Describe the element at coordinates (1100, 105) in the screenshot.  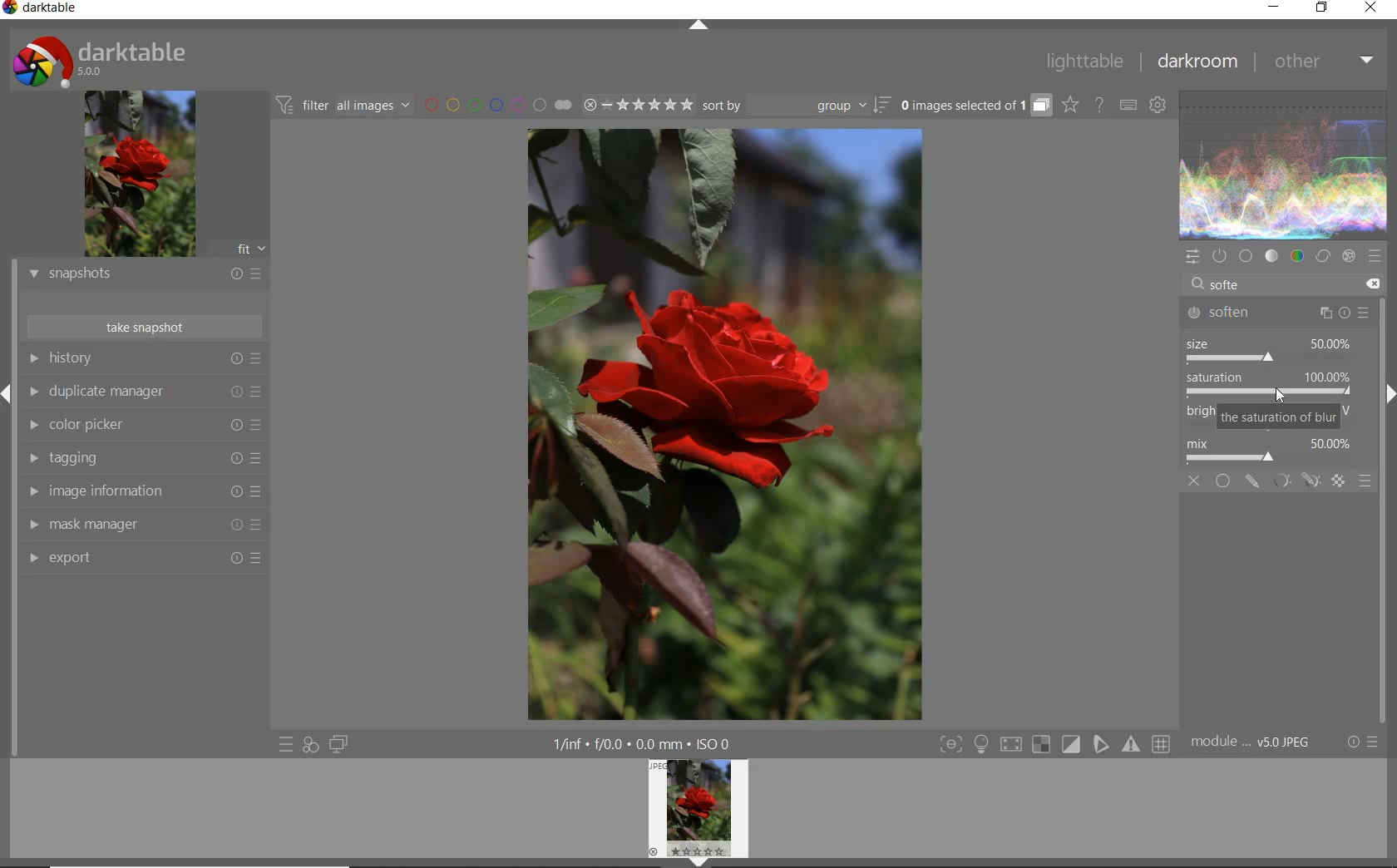
I see `enable online help` at that location.